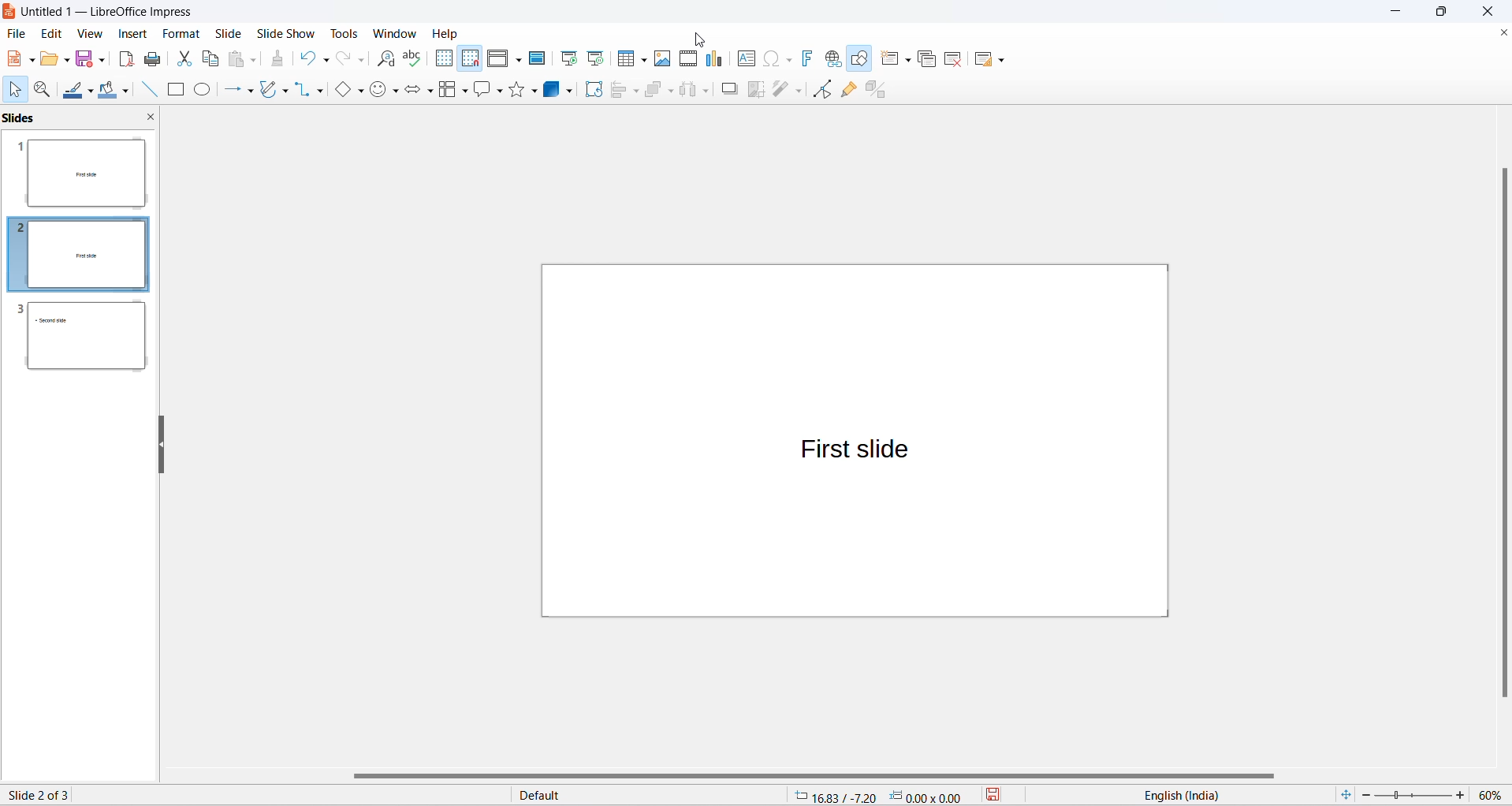 The width and height of the screenshot is (1512, 806). Describe the element at coordinates (324, 58) in the screenshot. I see `undo options` at that location.